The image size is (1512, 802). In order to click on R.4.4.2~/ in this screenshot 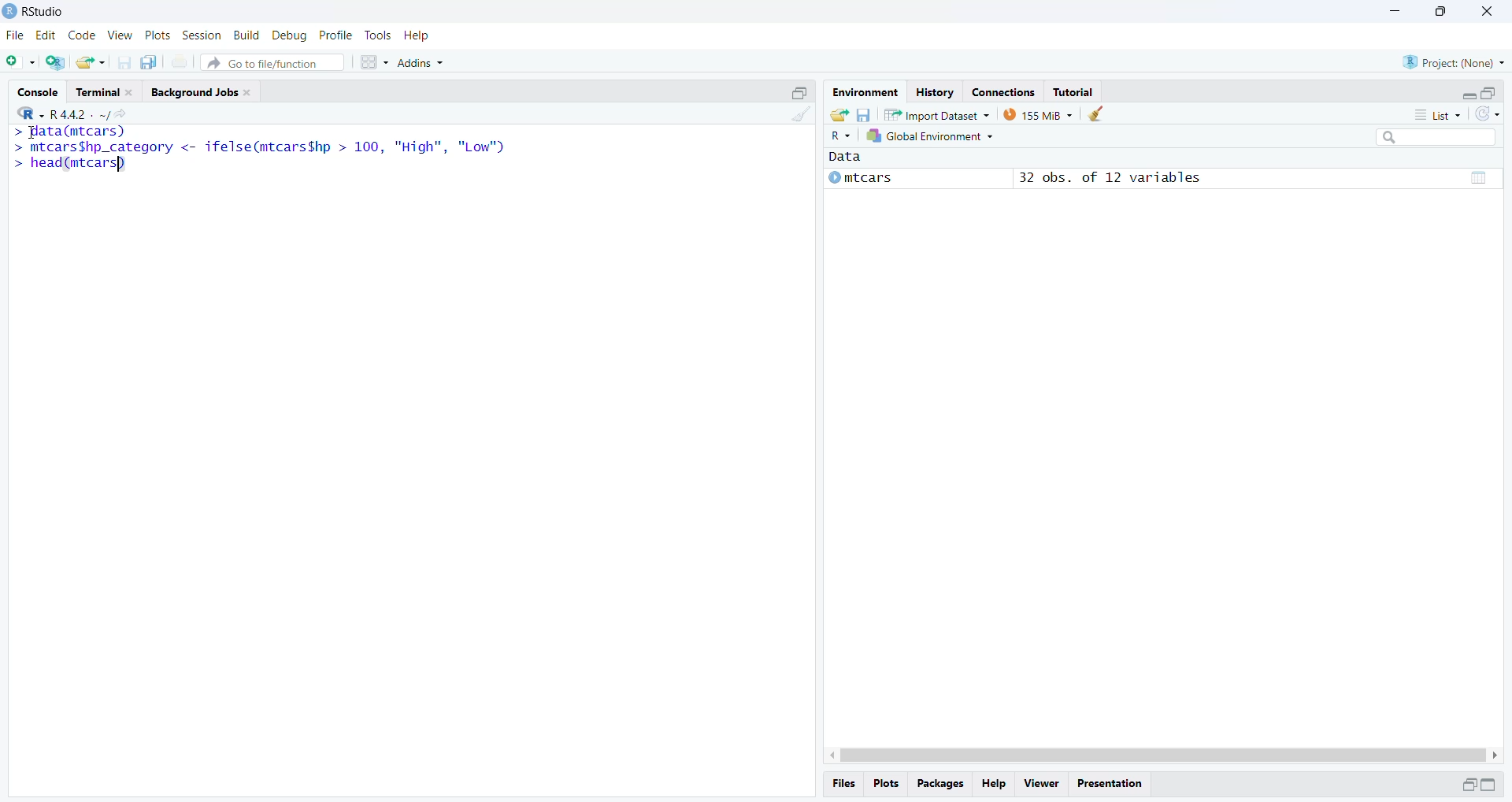, I will do `click(74, 113)`.